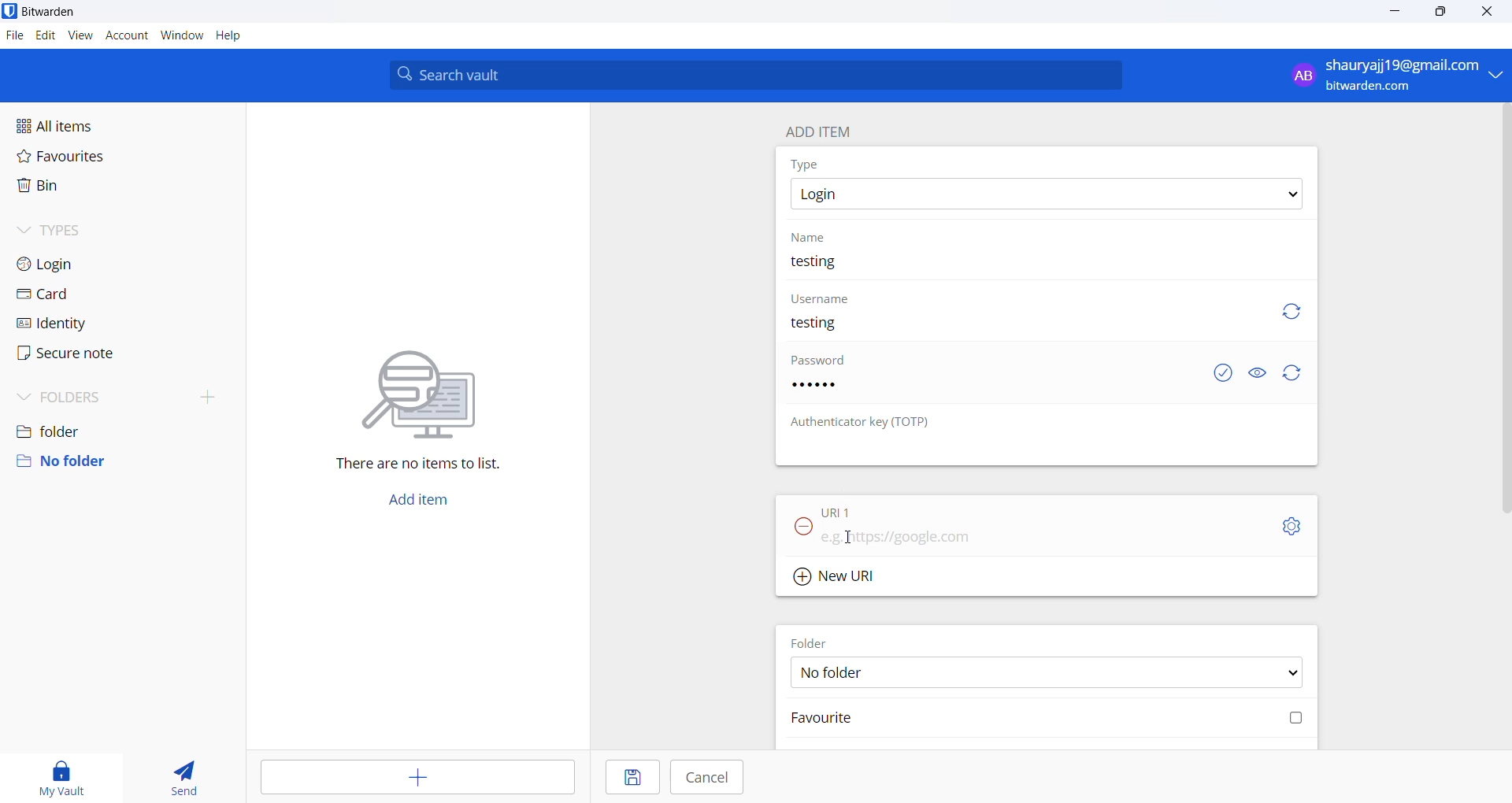 This screenshot has height=803, width=1512. I want to click on minimize, so click(1396, 12).